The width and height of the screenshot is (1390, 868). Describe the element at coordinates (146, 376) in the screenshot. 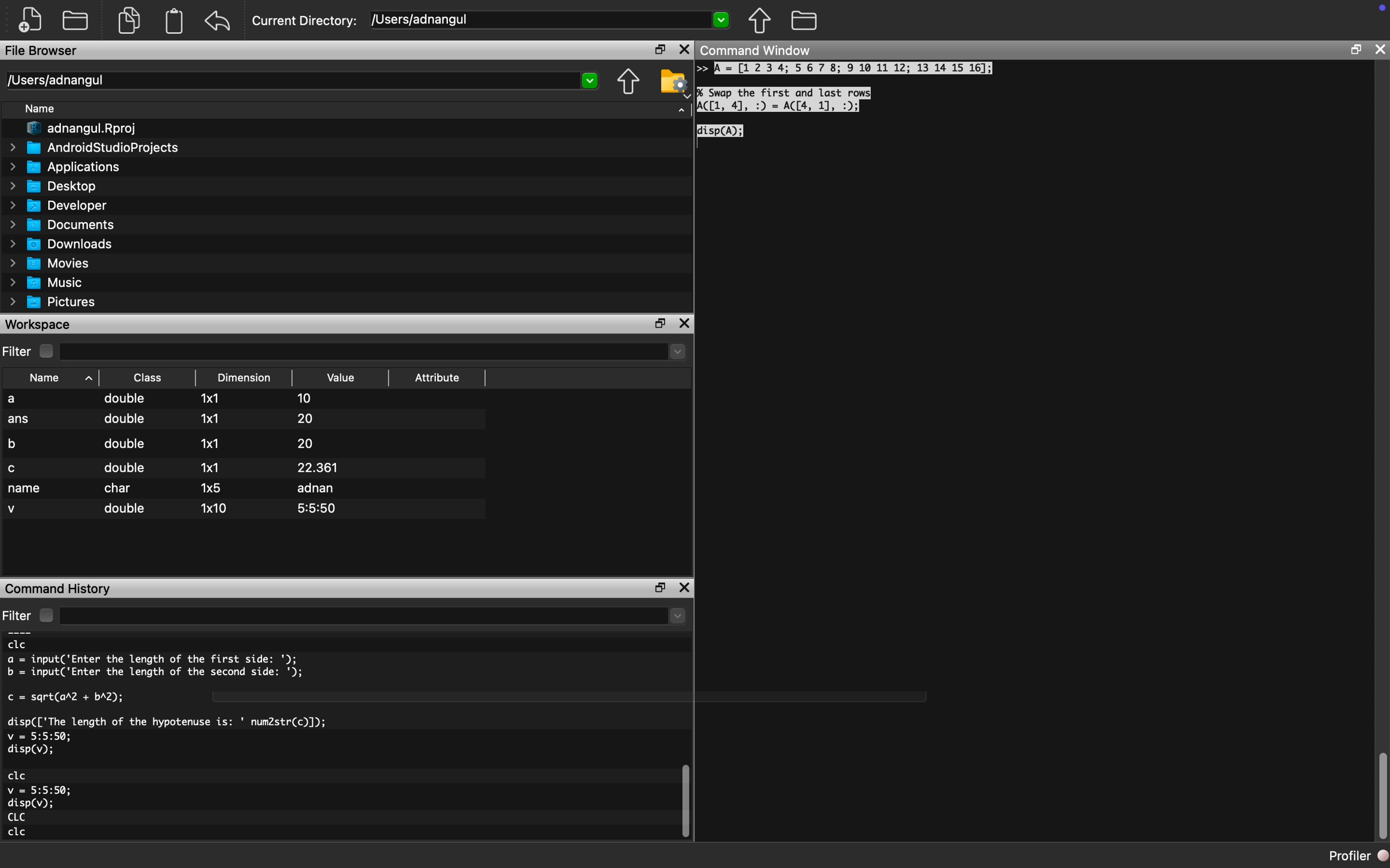

I see `Class` at that location.